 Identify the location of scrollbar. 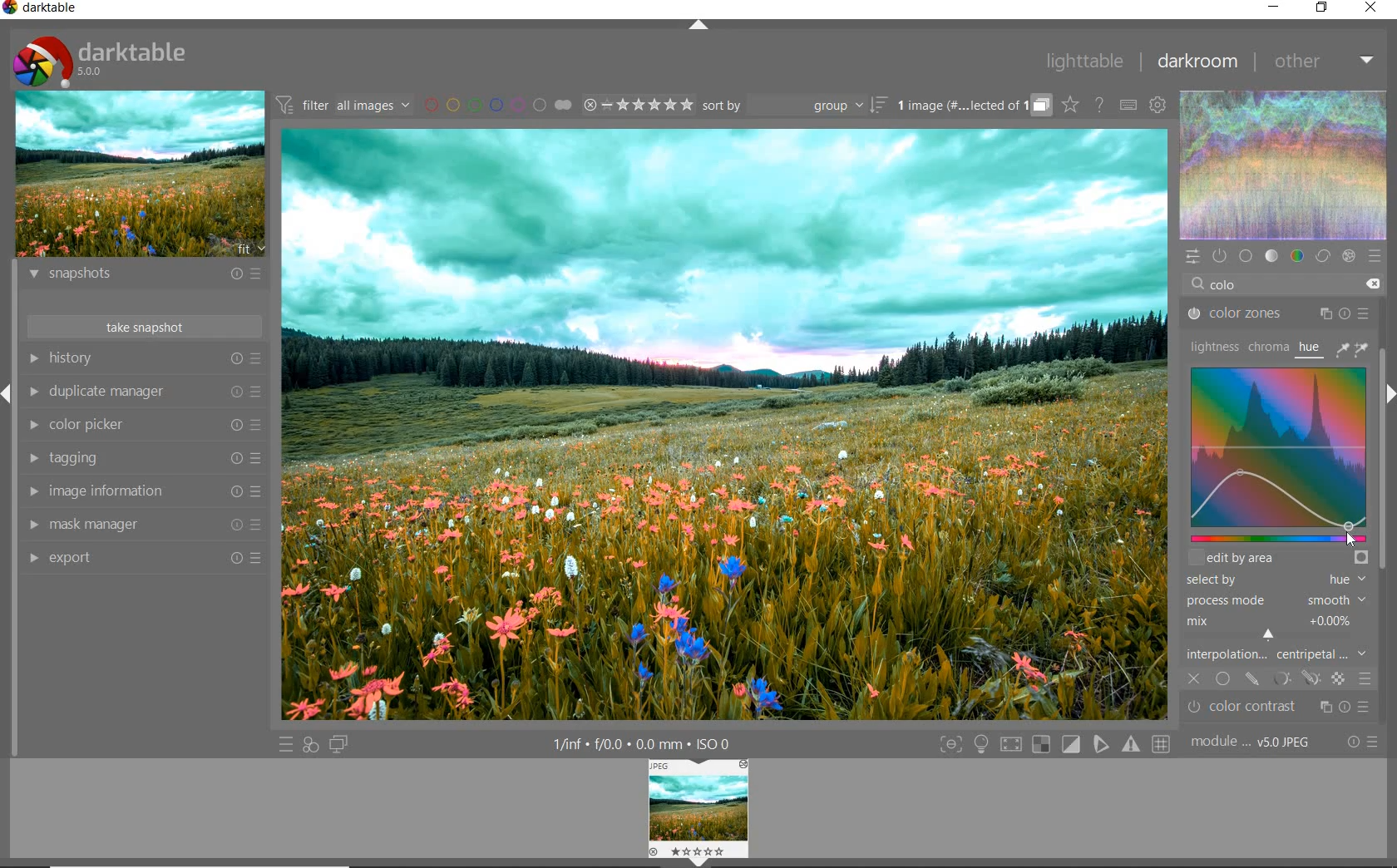
(1382, 525).